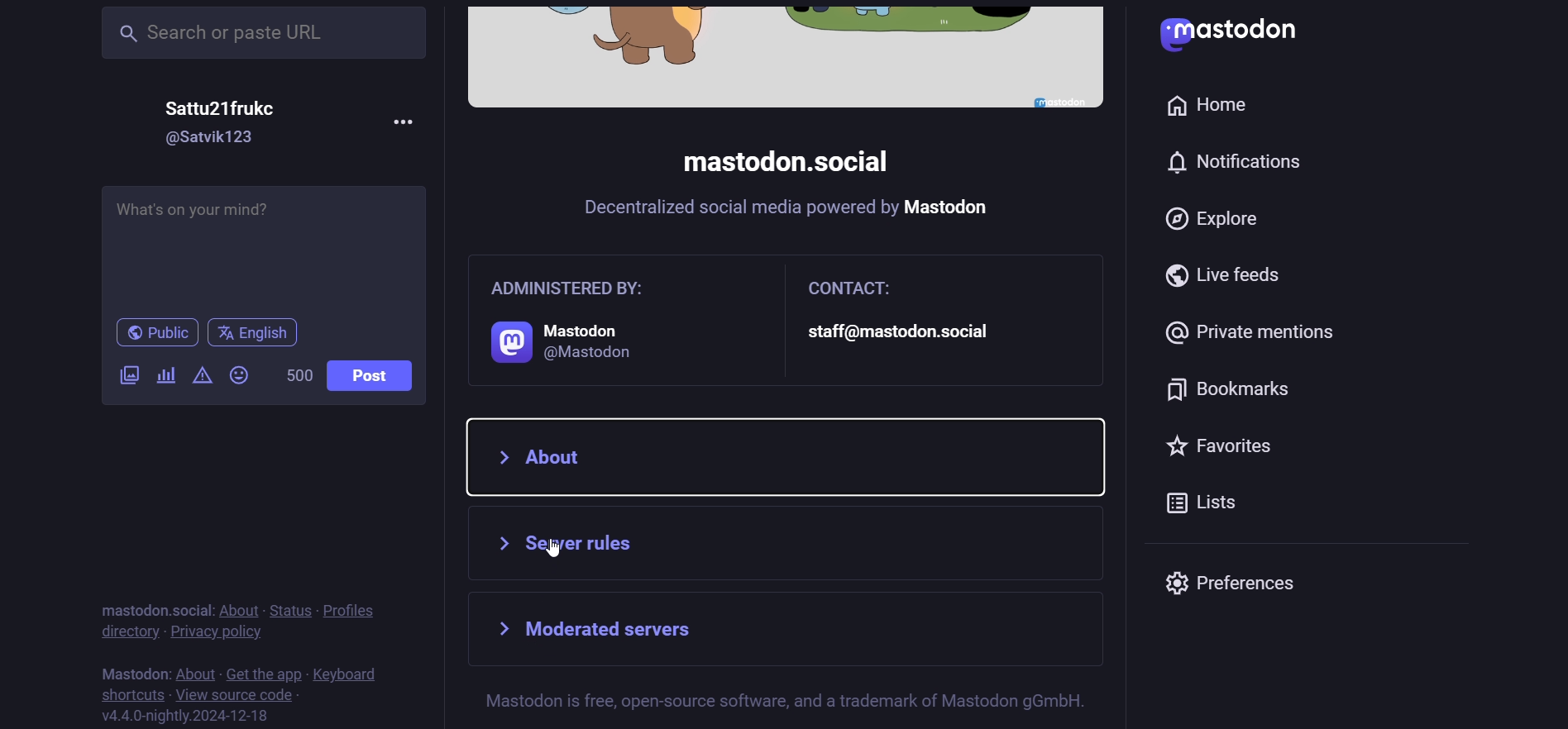 This screenshot has width=1568, height=729. Describe the element at coordinates (1244, 163) in the screenshot. I see `notification` at that location.